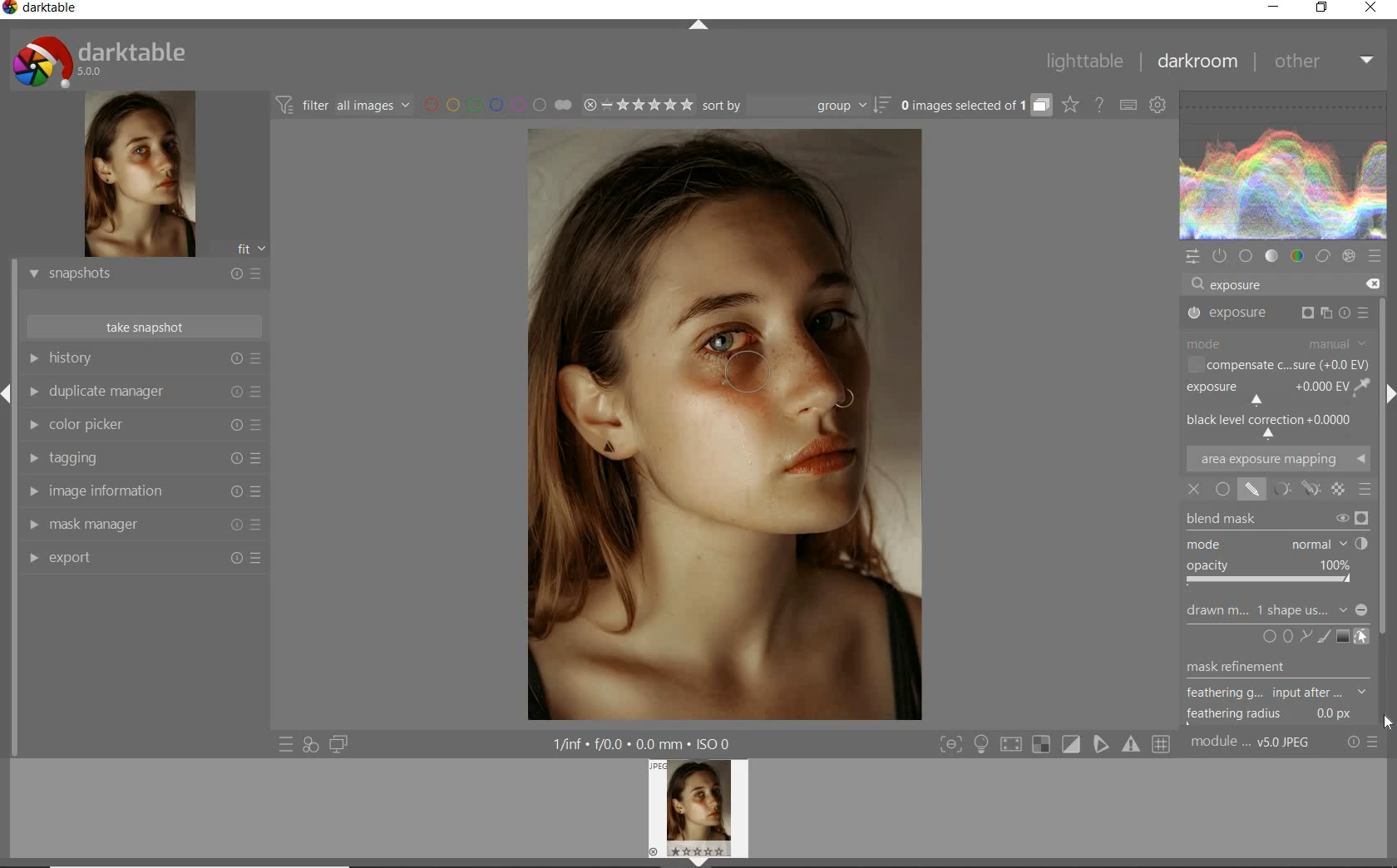 The width and height of the screenshot is (1397, 868). I want to click on presets, so click(1375, 256).